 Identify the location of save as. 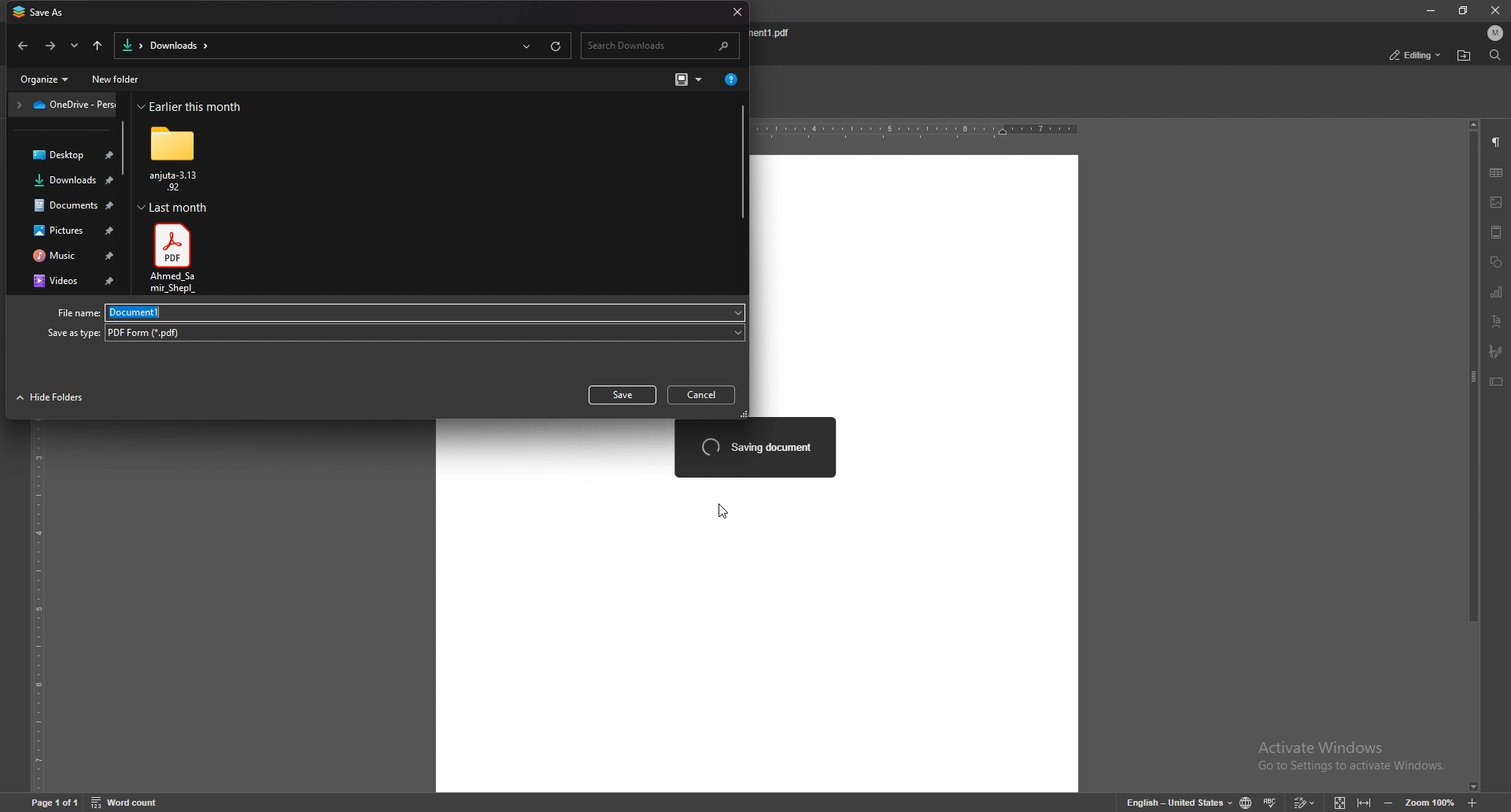
(43, 12).